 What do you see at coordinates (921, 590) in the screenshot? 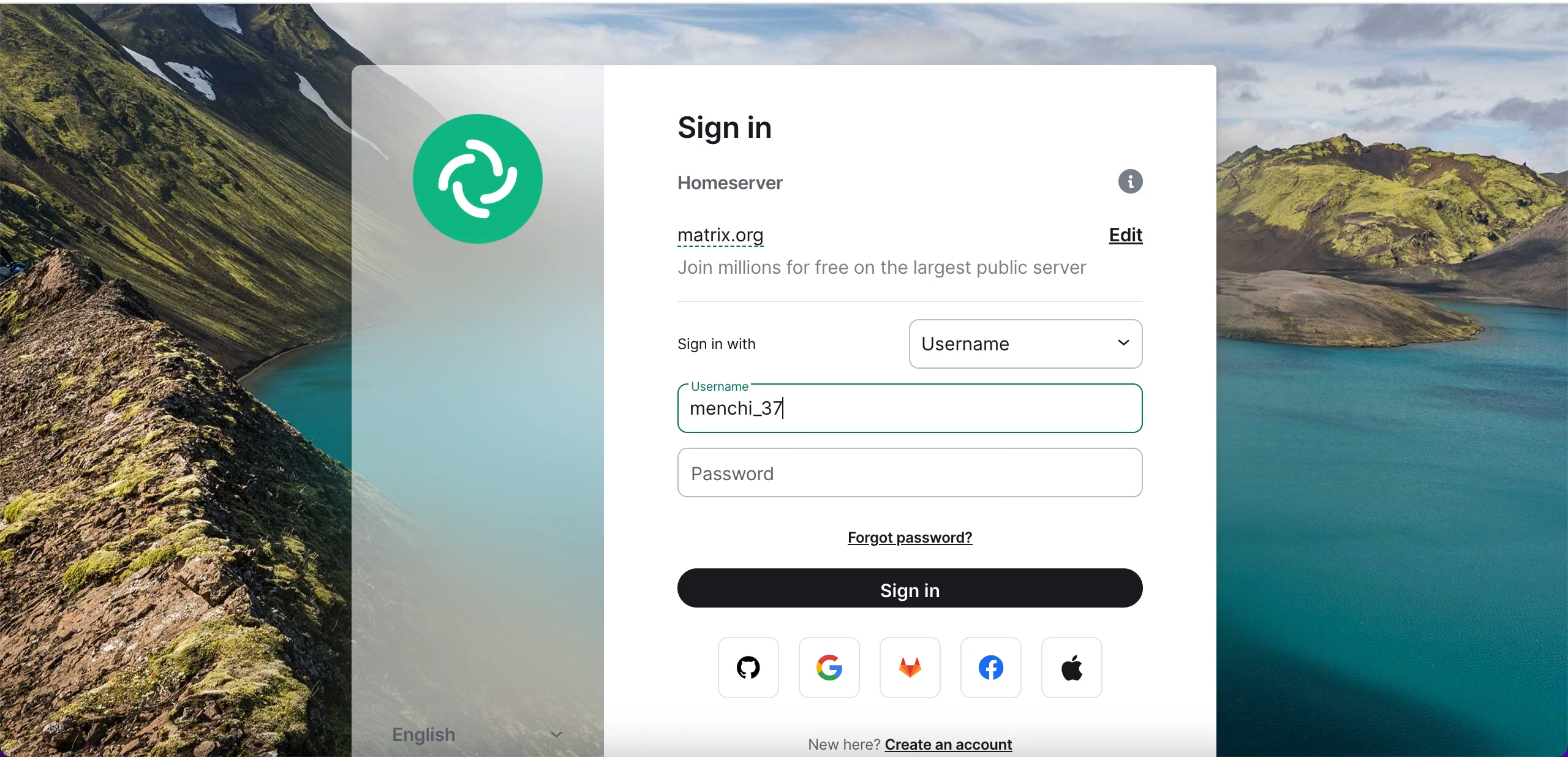
I see `sign in` at bounding box center [921, 590].